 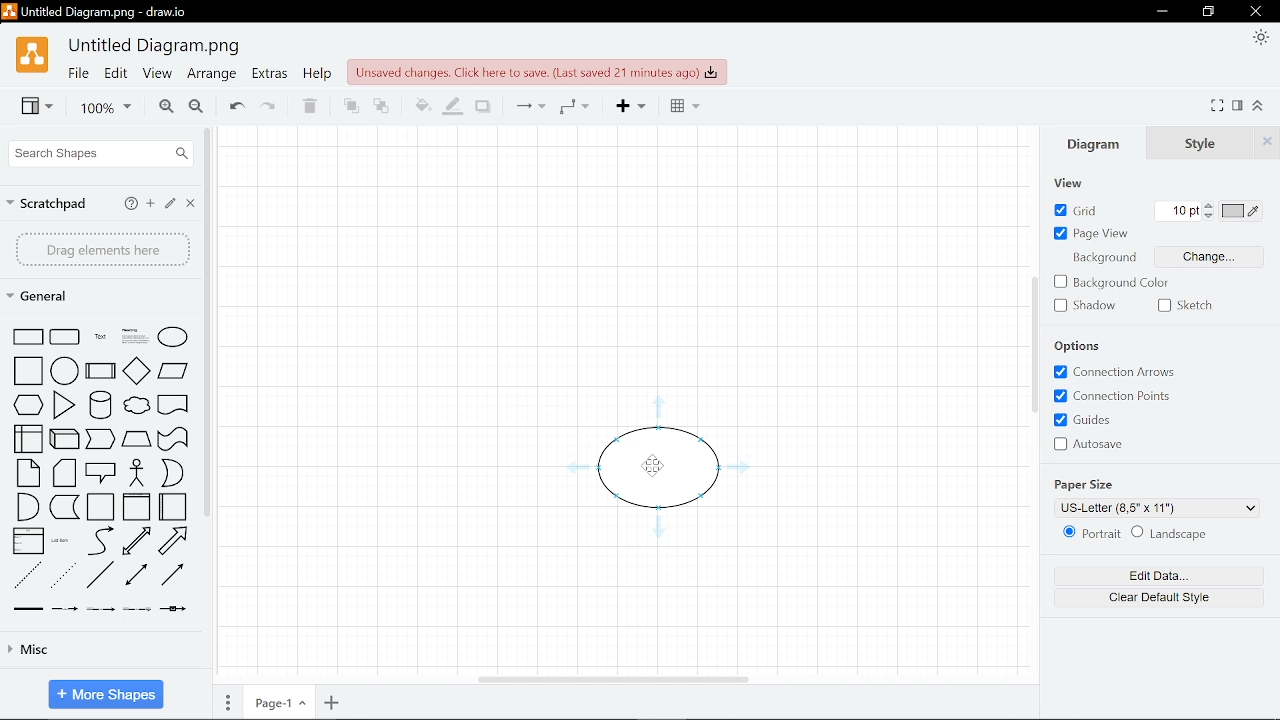 What do you see at coordinates (154, 47) in the screenshot?
I see `File name` at bounding box center [154, 47].